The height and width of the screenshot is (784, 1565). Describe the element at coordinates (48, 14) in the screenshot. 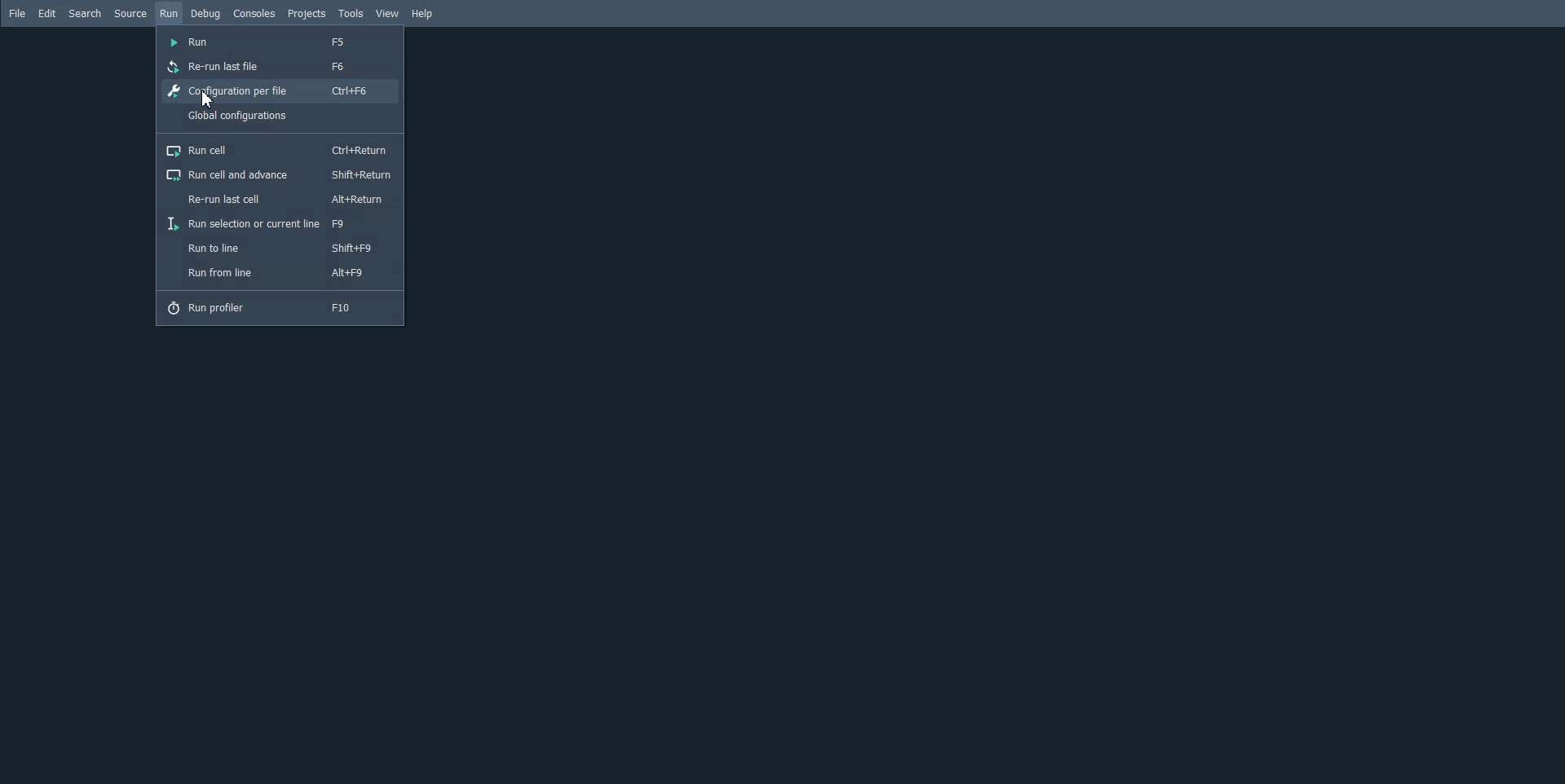

I see `Edit` at that location.